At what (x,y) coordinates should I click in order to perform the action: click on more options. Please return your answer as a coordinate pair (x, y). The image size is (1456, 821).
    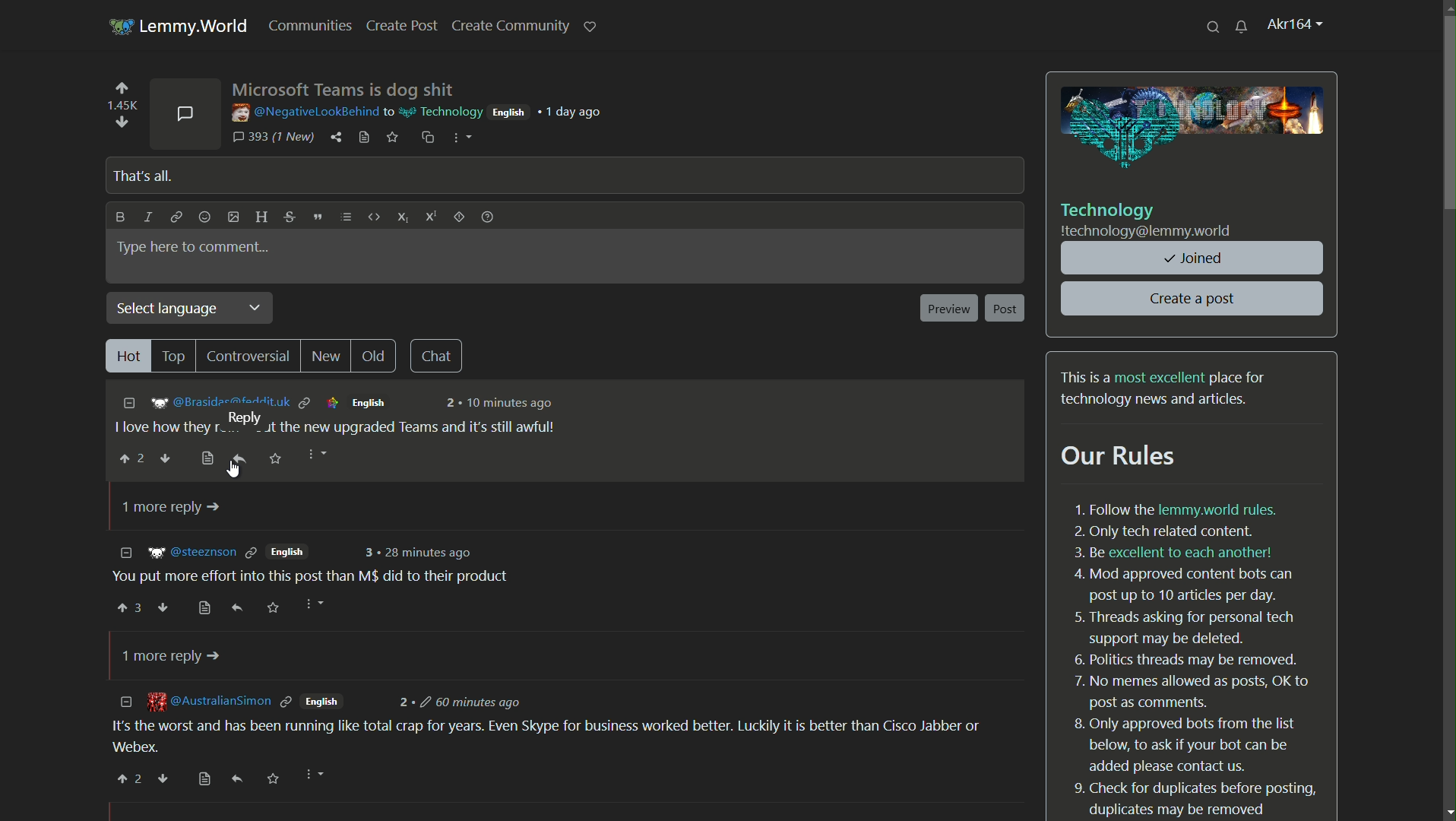
    Looking at the image, I should click on (312, 777).